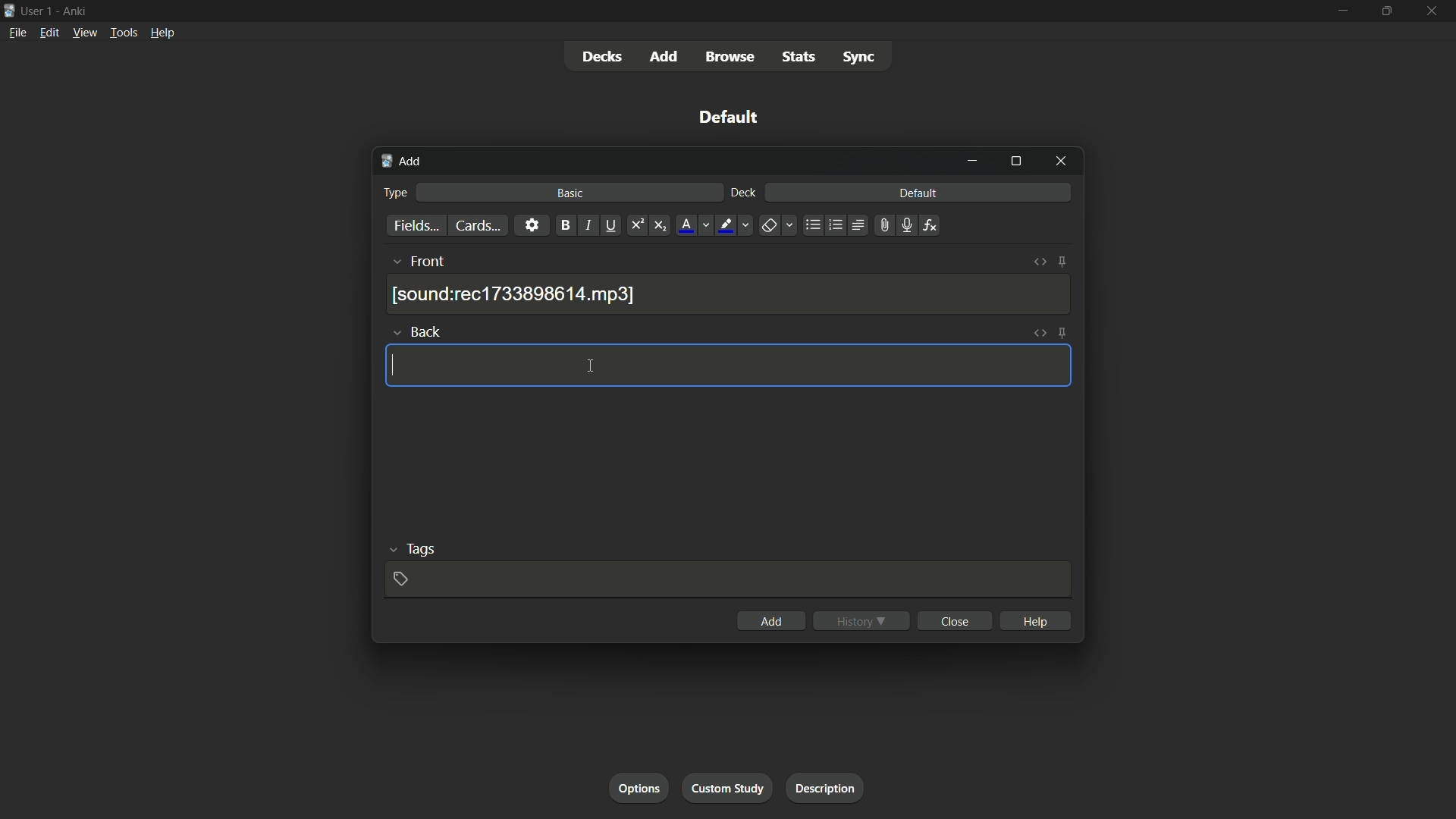 This screenshot has width=1456, height=819. What do you see at coordinates (861, 620) in the screenshot?
I see `history` at bounding box center [861, 620].